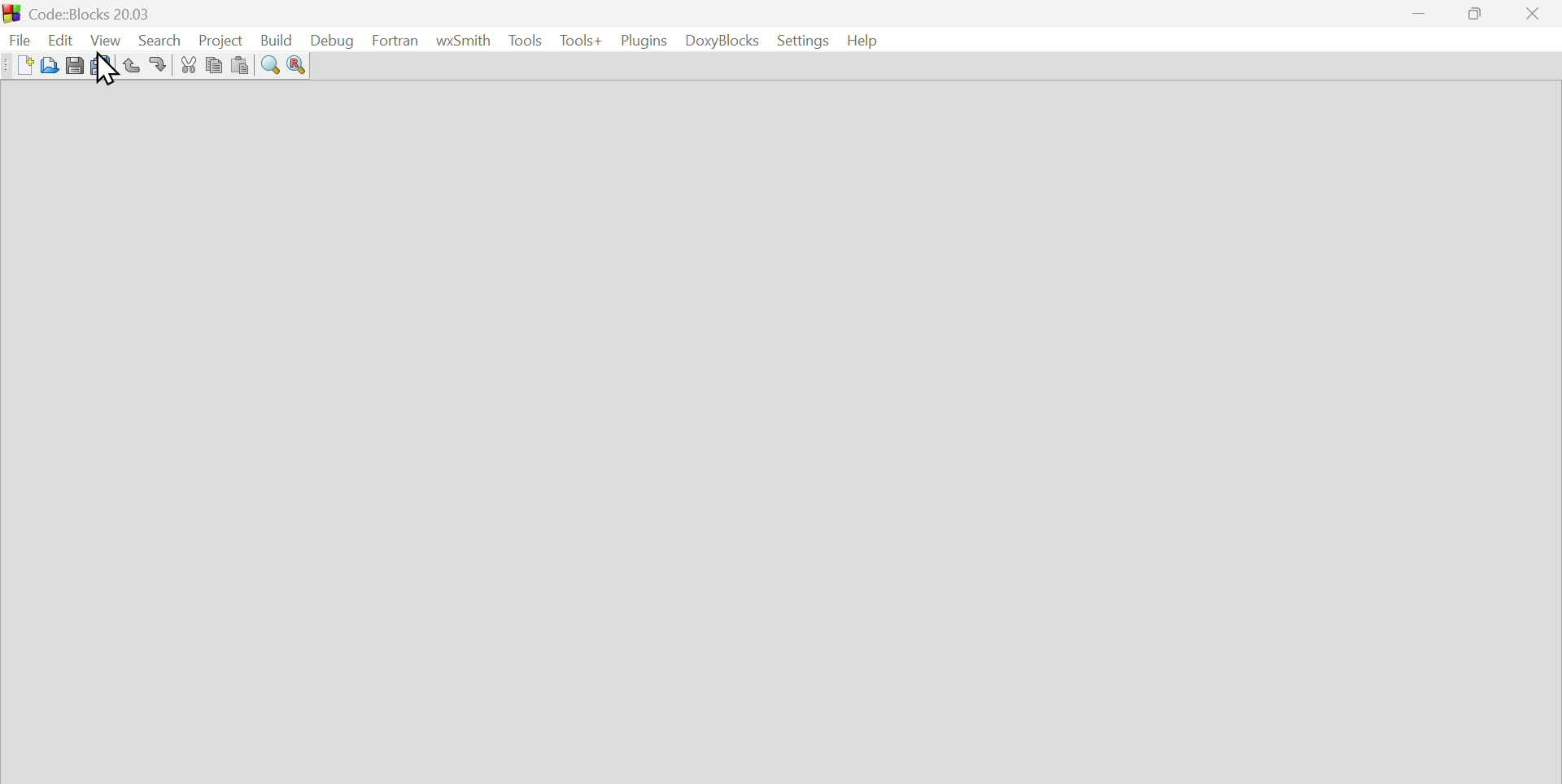 This screenshot has width=1562, height=784. What do you see at coordinates (239, 63) in the screenshot?
I see `Paste` at bounding box center [239, 63].